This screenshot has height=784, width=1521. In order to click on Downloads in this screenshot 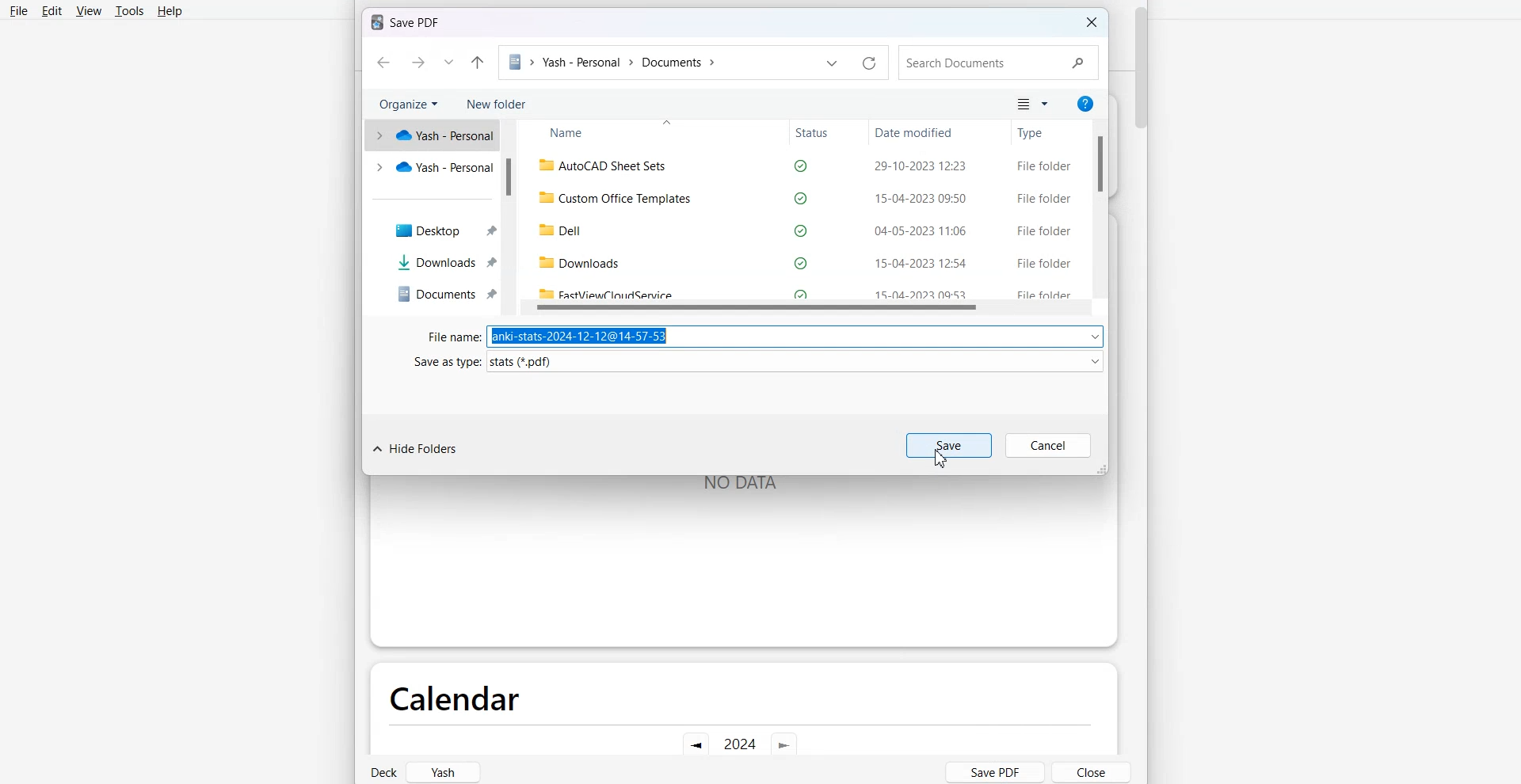, I will do `click(431, 264)`.